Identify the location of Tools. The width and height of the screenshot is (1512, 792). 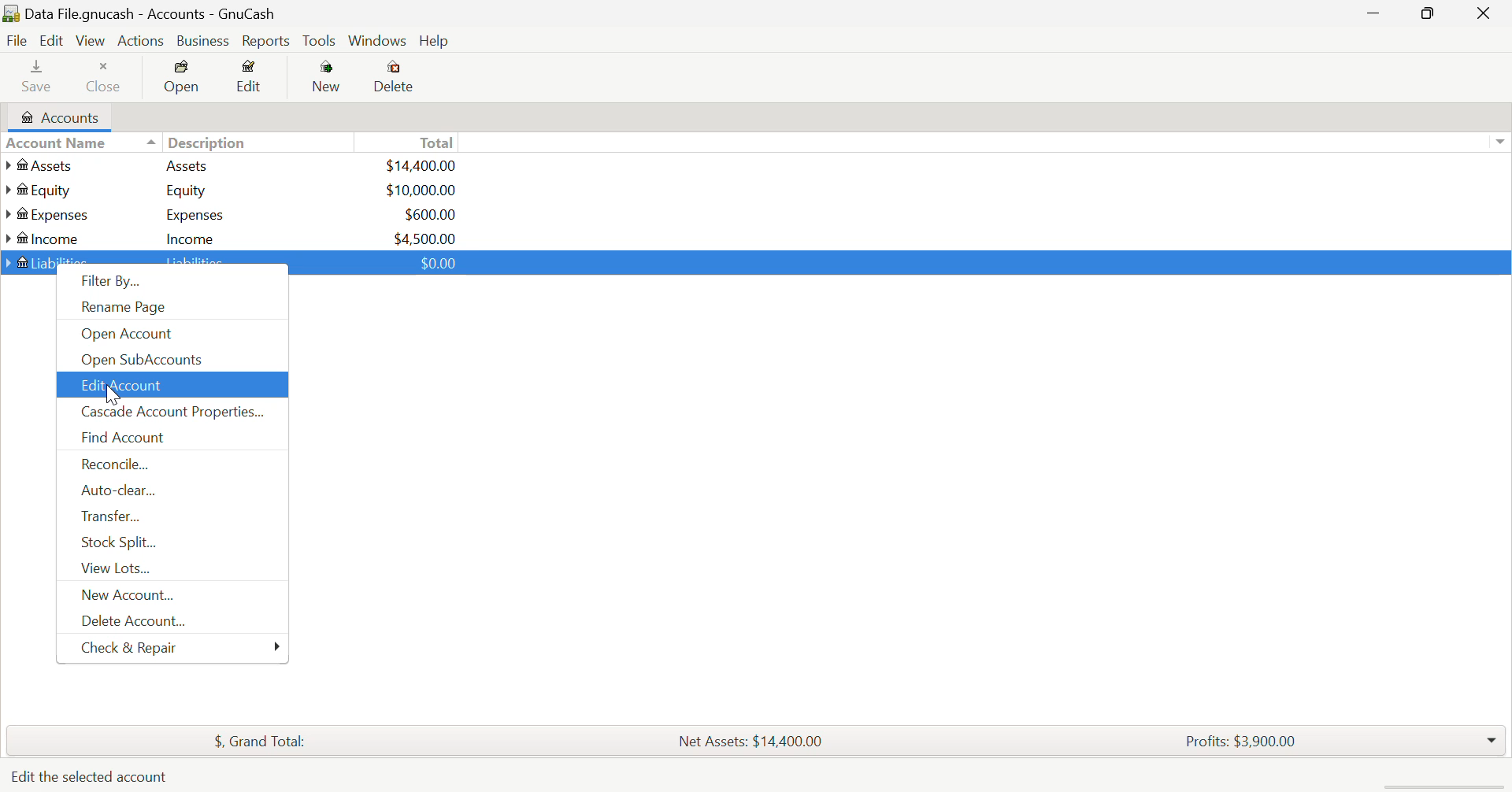
(321, 42).